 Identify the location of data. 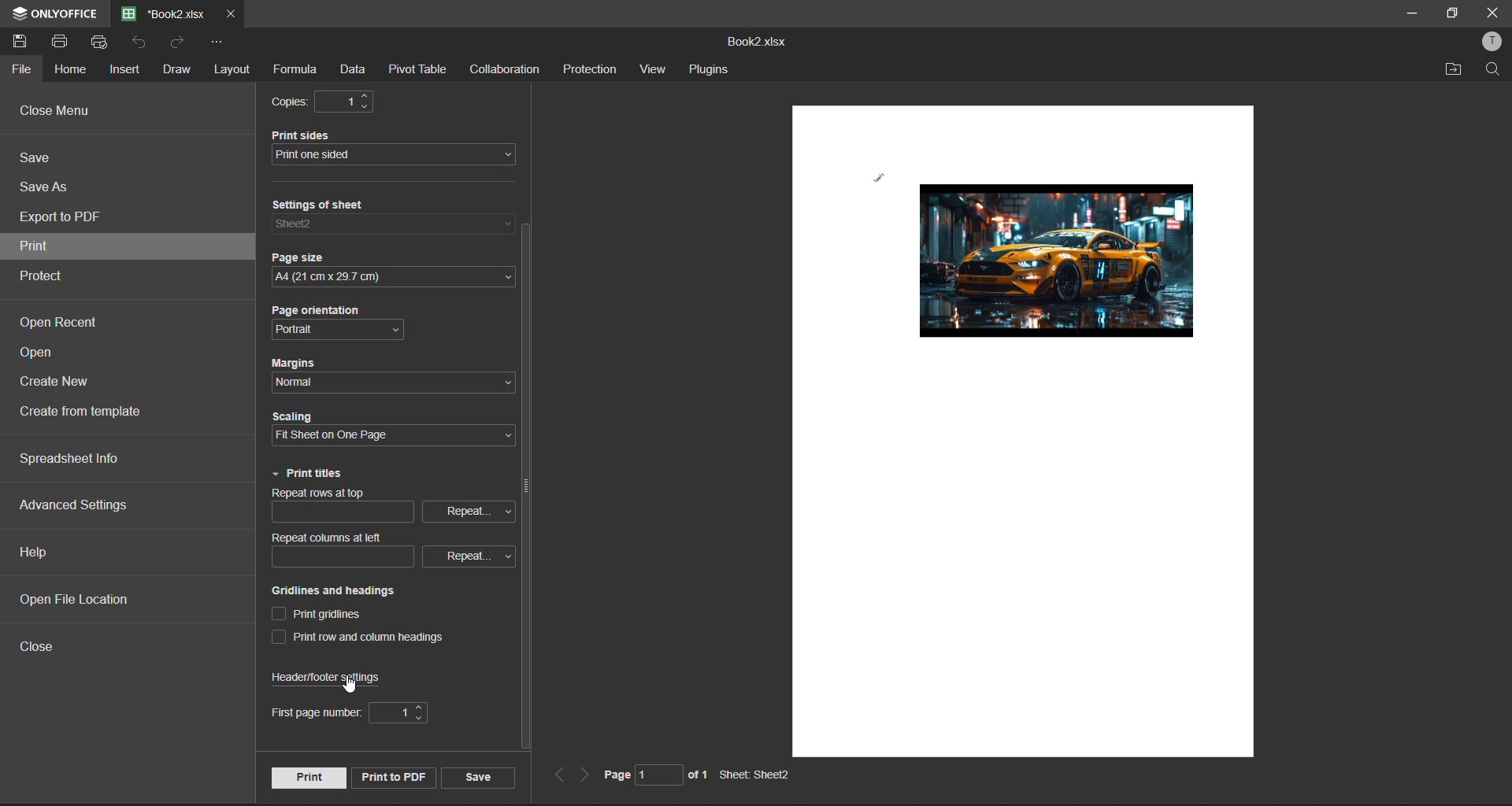
(353, 72).